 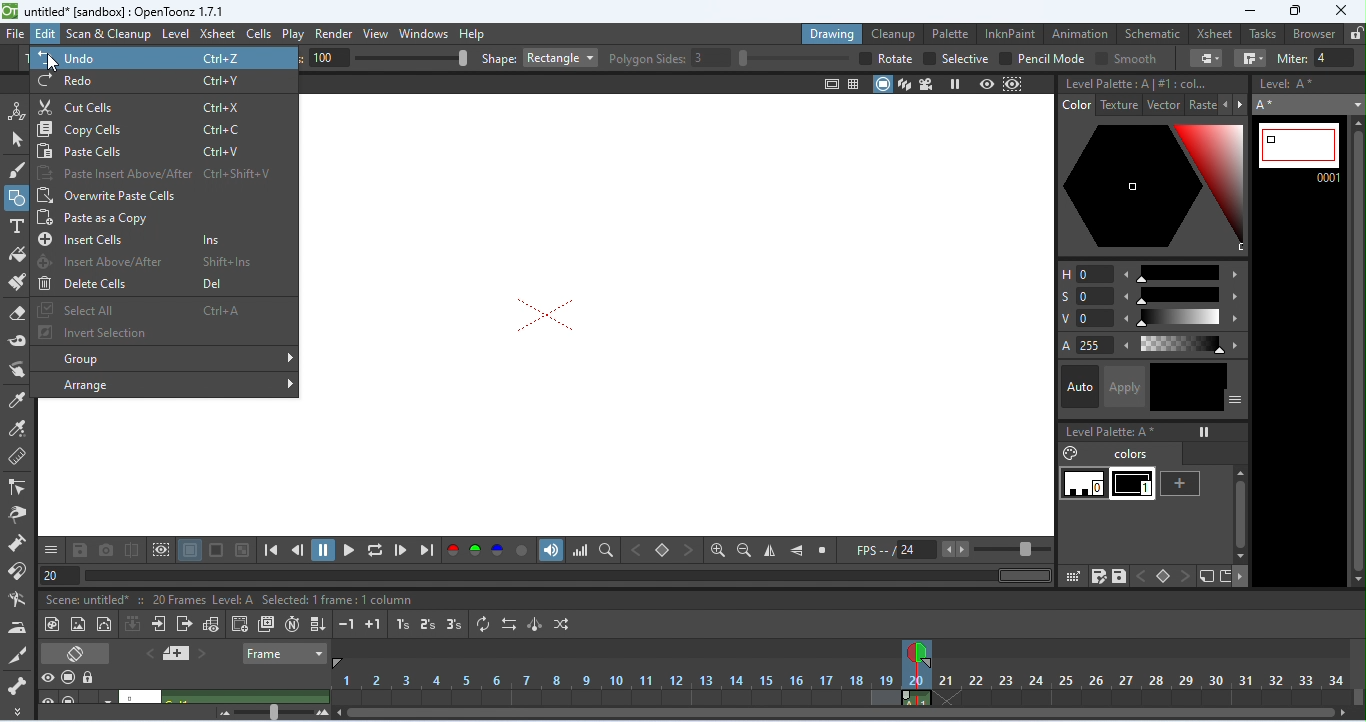 I want to click on locator, so click(x=606, y=550).